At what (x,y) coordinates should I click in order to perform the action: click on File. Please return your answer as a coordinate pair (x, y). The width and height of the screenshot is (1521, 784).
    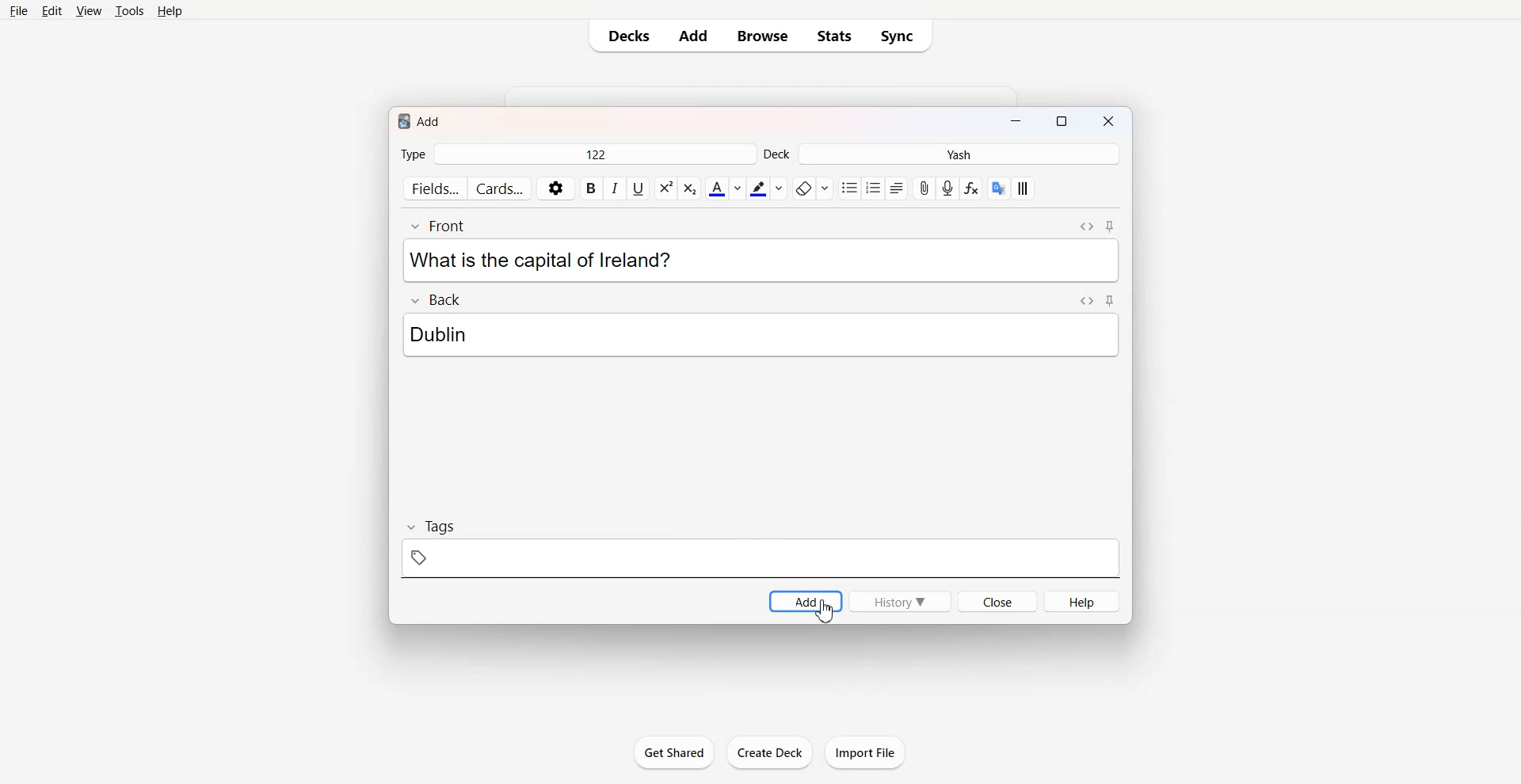
    Looking at the image, I should click on (19, 11).